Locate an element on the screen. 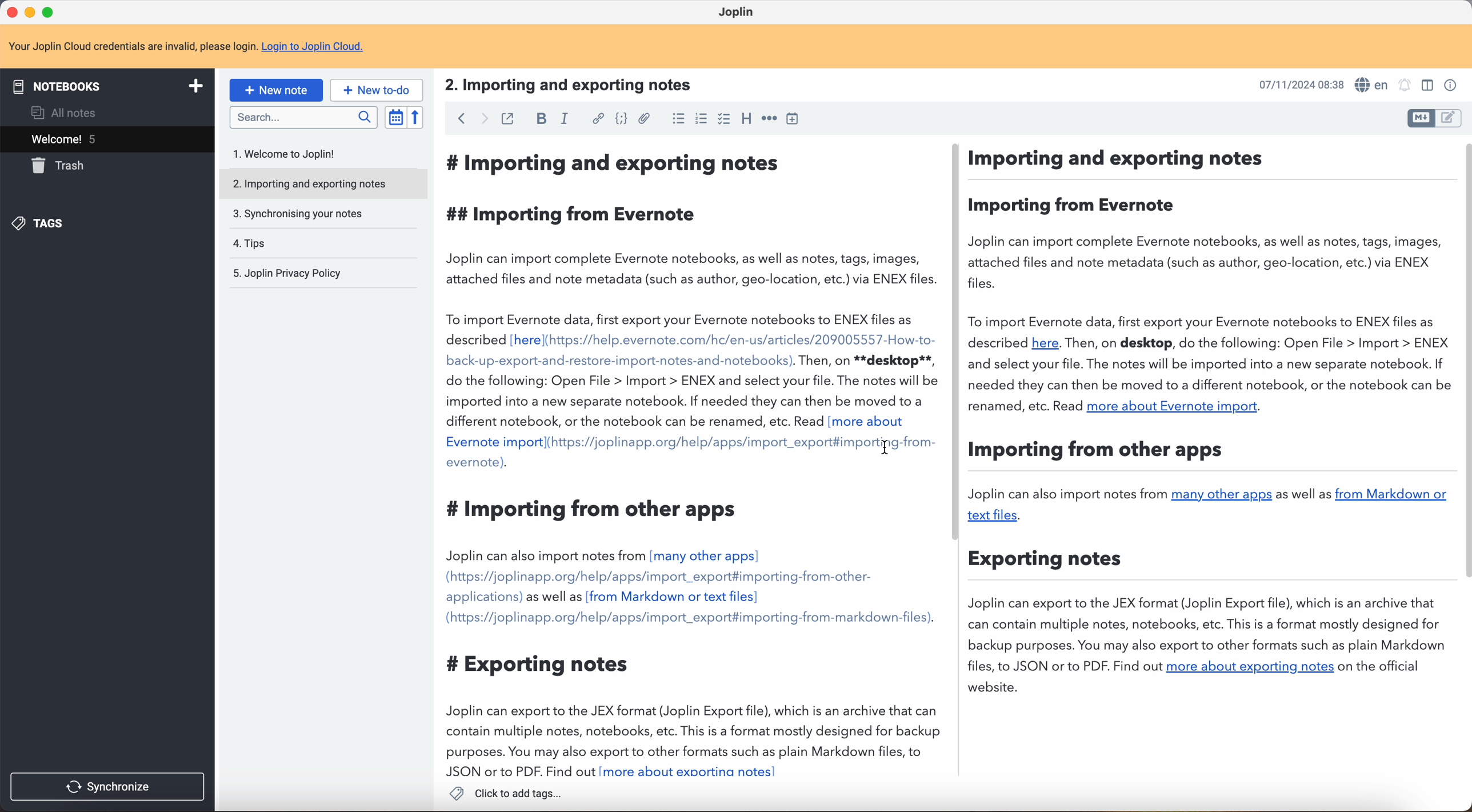  bulleted list is located at coordinates (675, 120).